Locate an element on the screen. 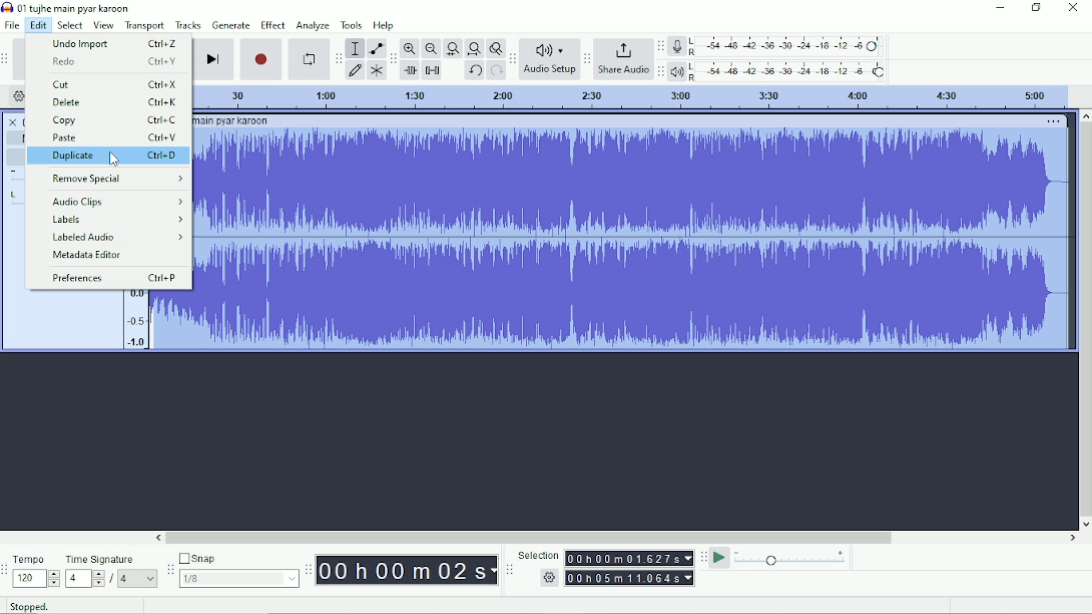 The height and width of the screenshot is (614, 1092). Edit is located at coordinates (39, 26).